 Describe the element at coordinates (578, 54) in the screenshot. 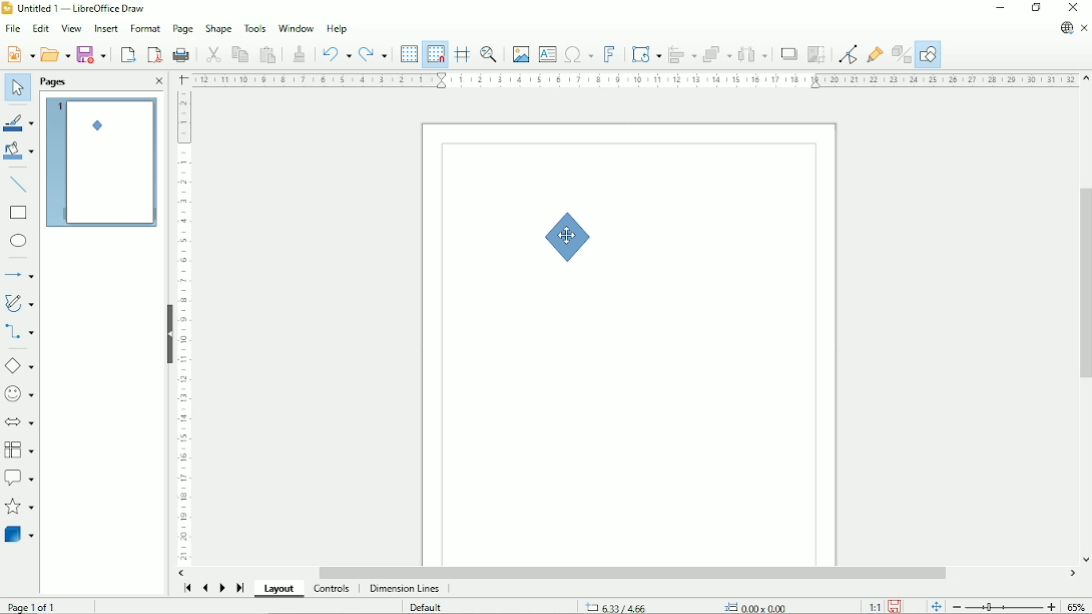

I see `Insert special characters` at that location.